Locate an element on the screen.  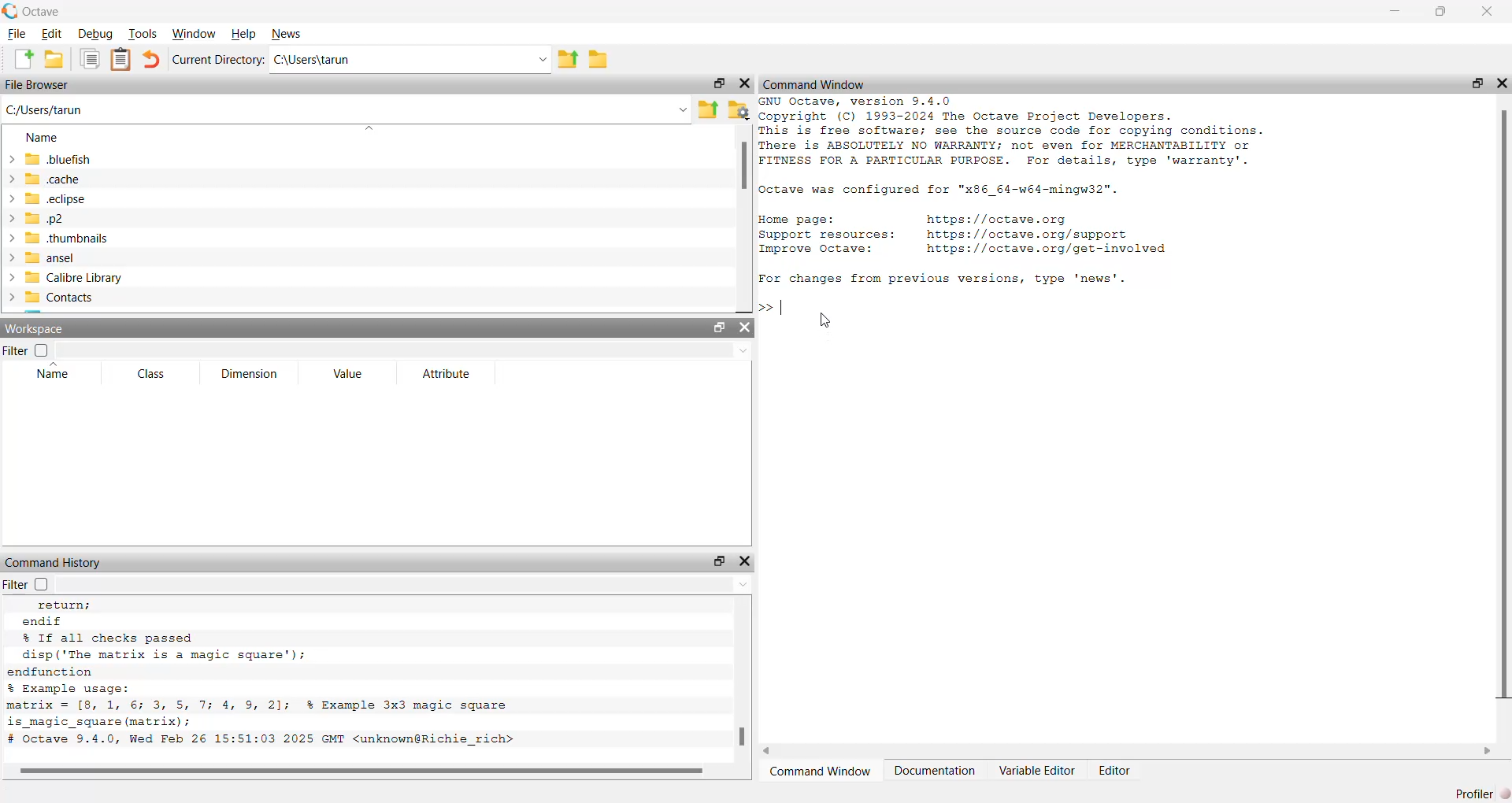
.cache is located at coordinates (43, 178).